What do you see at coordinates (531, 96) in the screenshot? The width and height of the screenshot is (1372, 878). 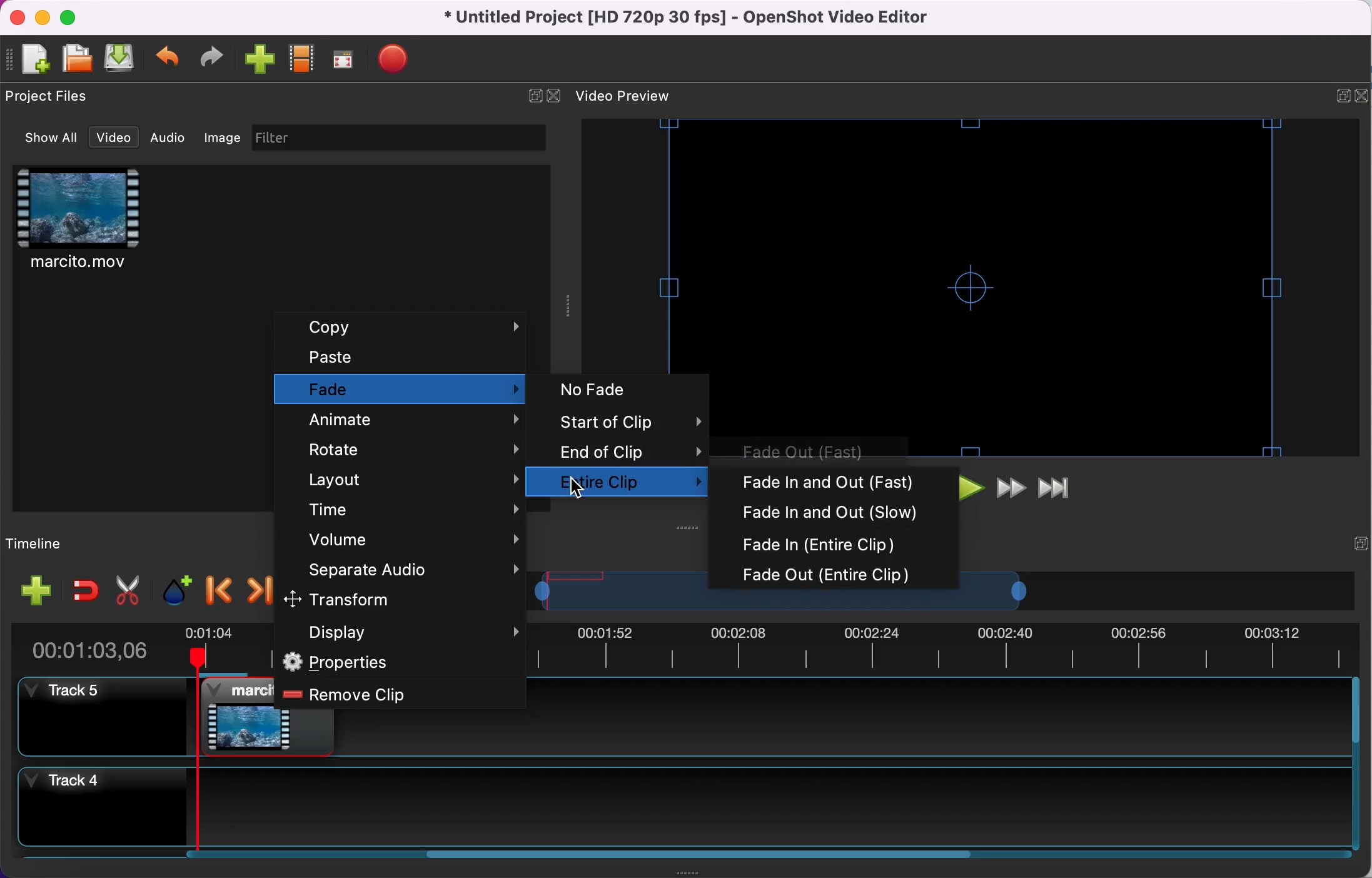 I see `expand/hide` at bounding box center [531, 96].